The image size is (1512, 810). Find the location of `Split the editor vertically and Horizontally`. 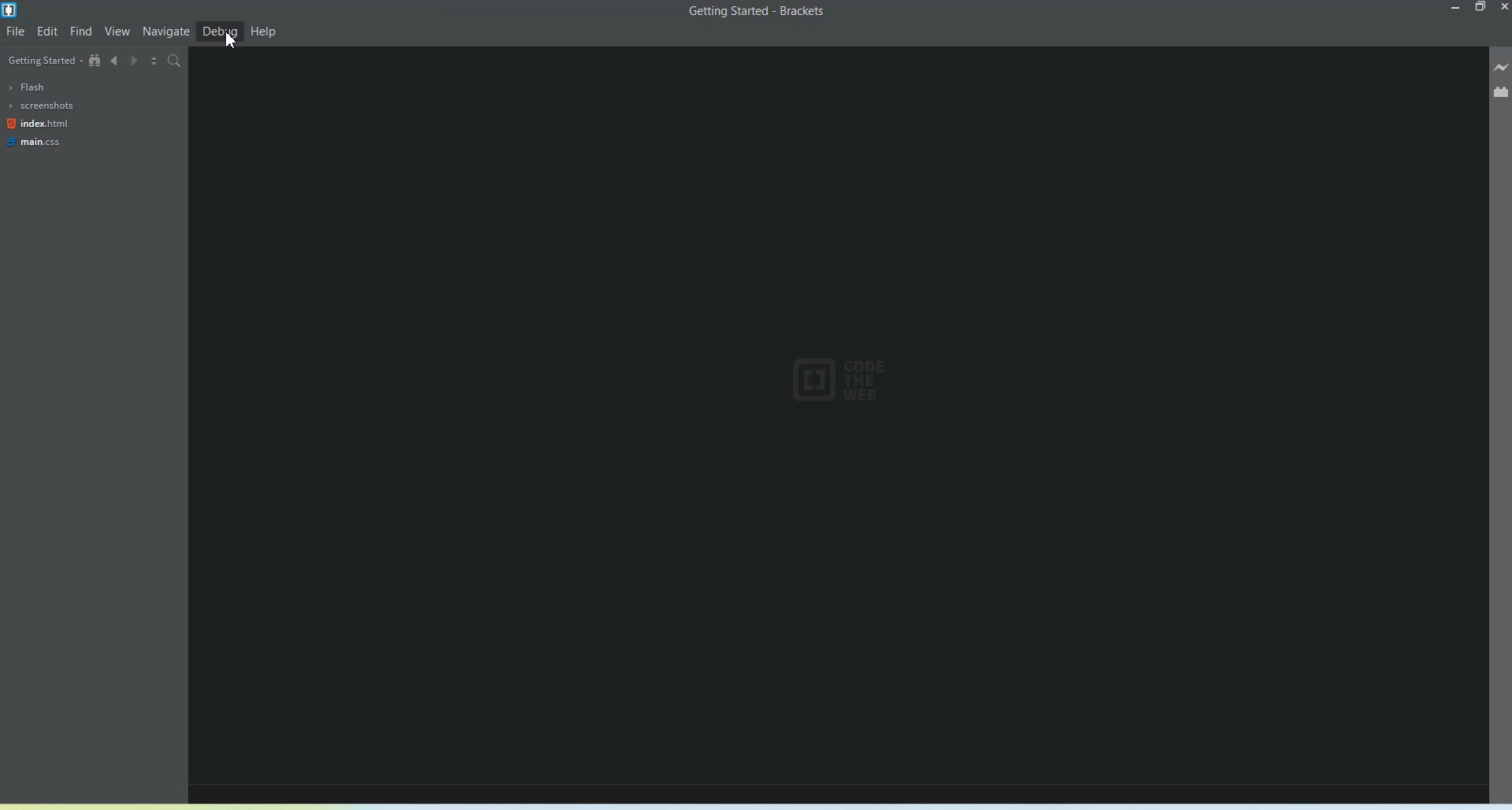

Split the editor vertically and Horizontally is located at coordinates (154, 61).